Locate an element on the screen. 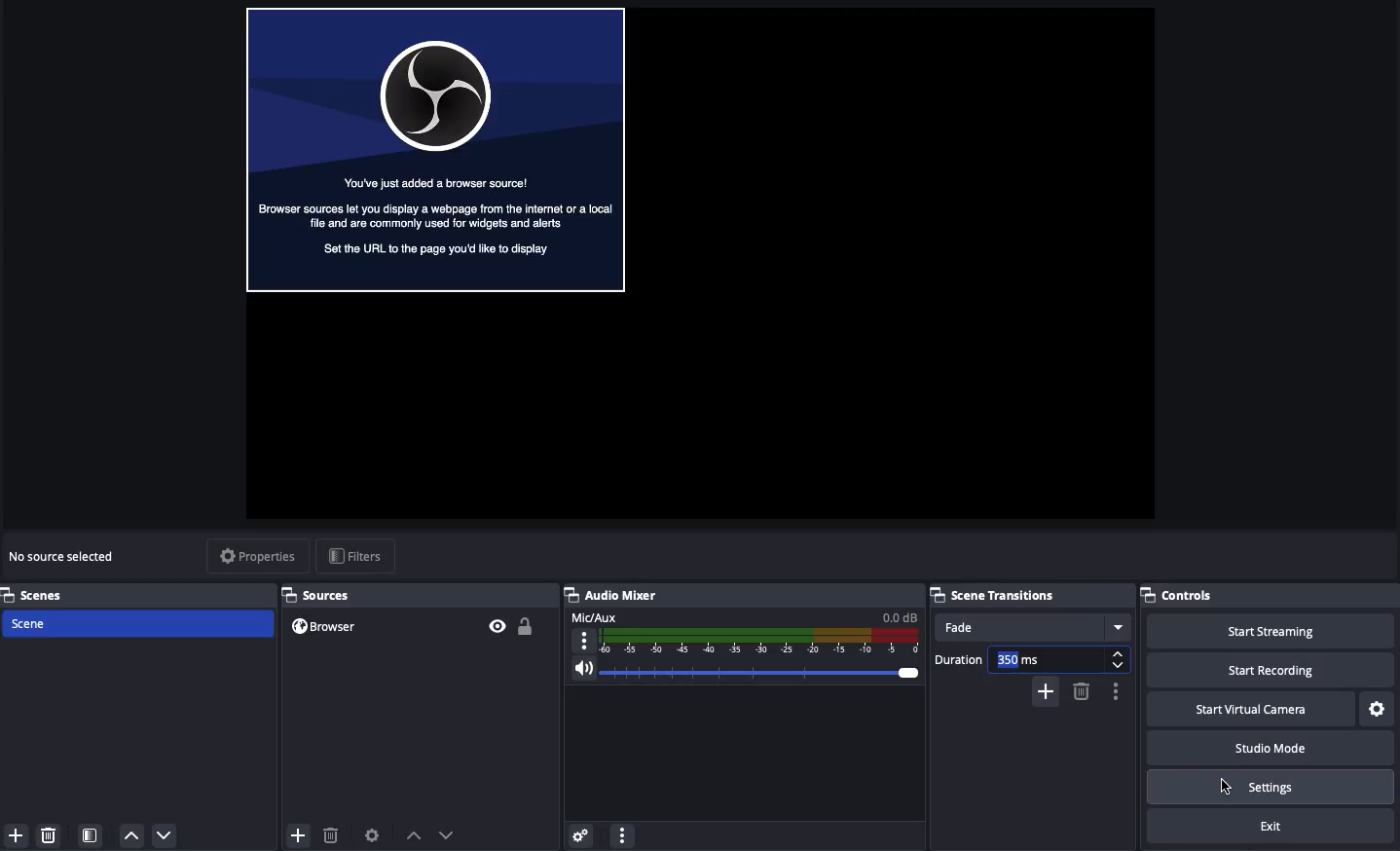 This screenshot has width=1400, height=851. Scene transition is located at coordinates (1026, 595).